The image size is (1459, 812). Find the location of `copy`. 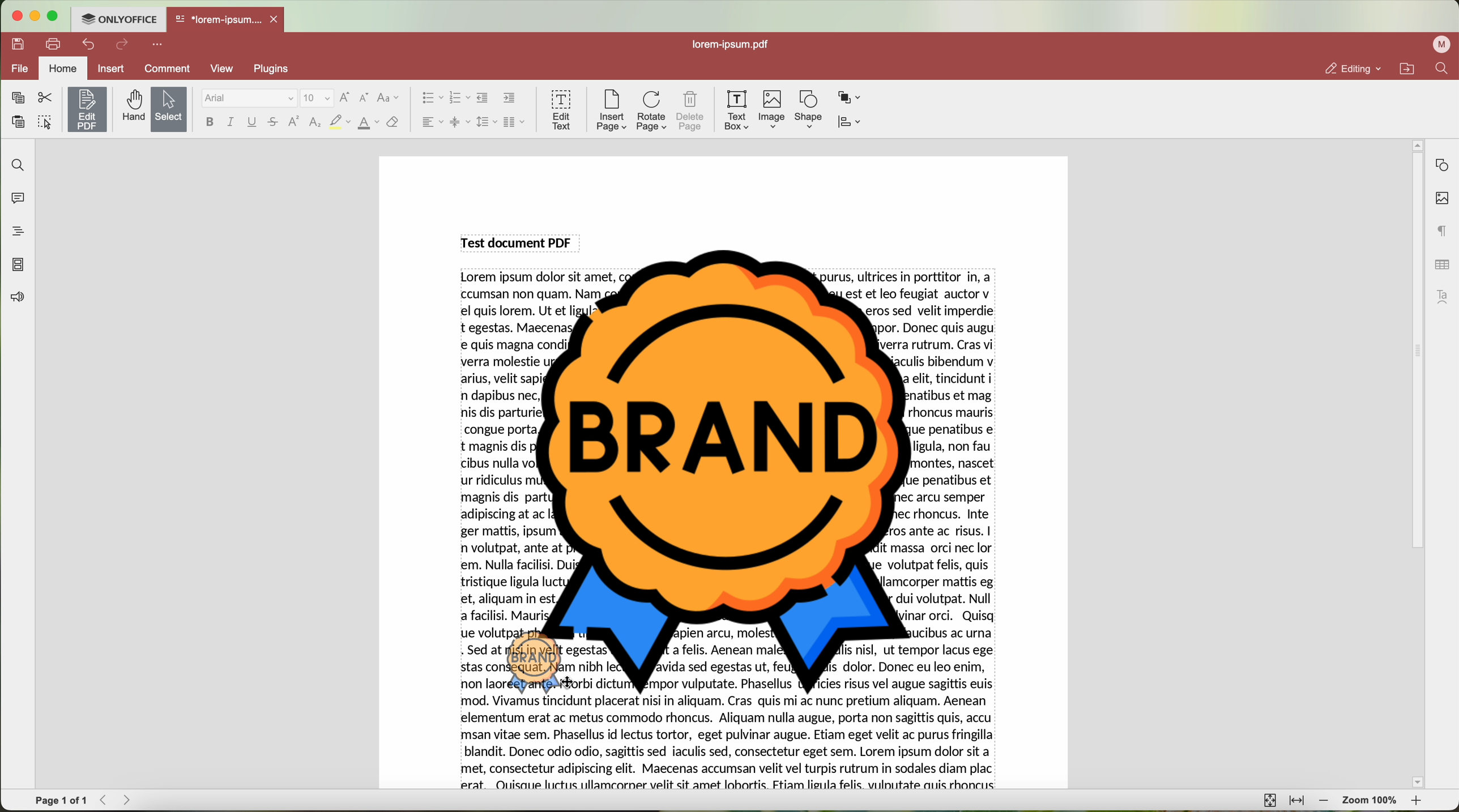

copy is located at coordinates (18, 98).